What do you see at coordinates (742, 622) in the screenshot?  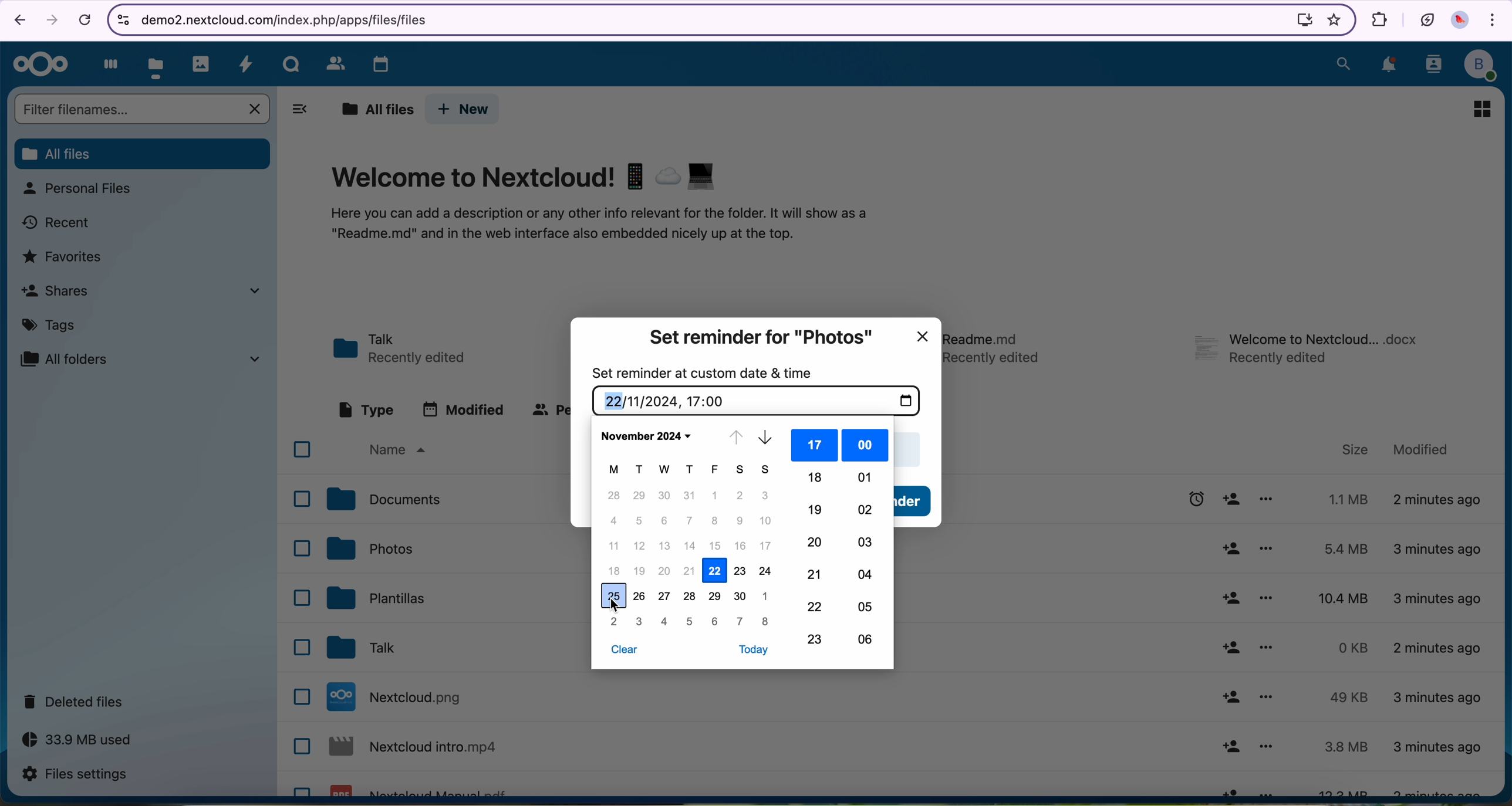 I see `7` at bounding box center [742, 622].